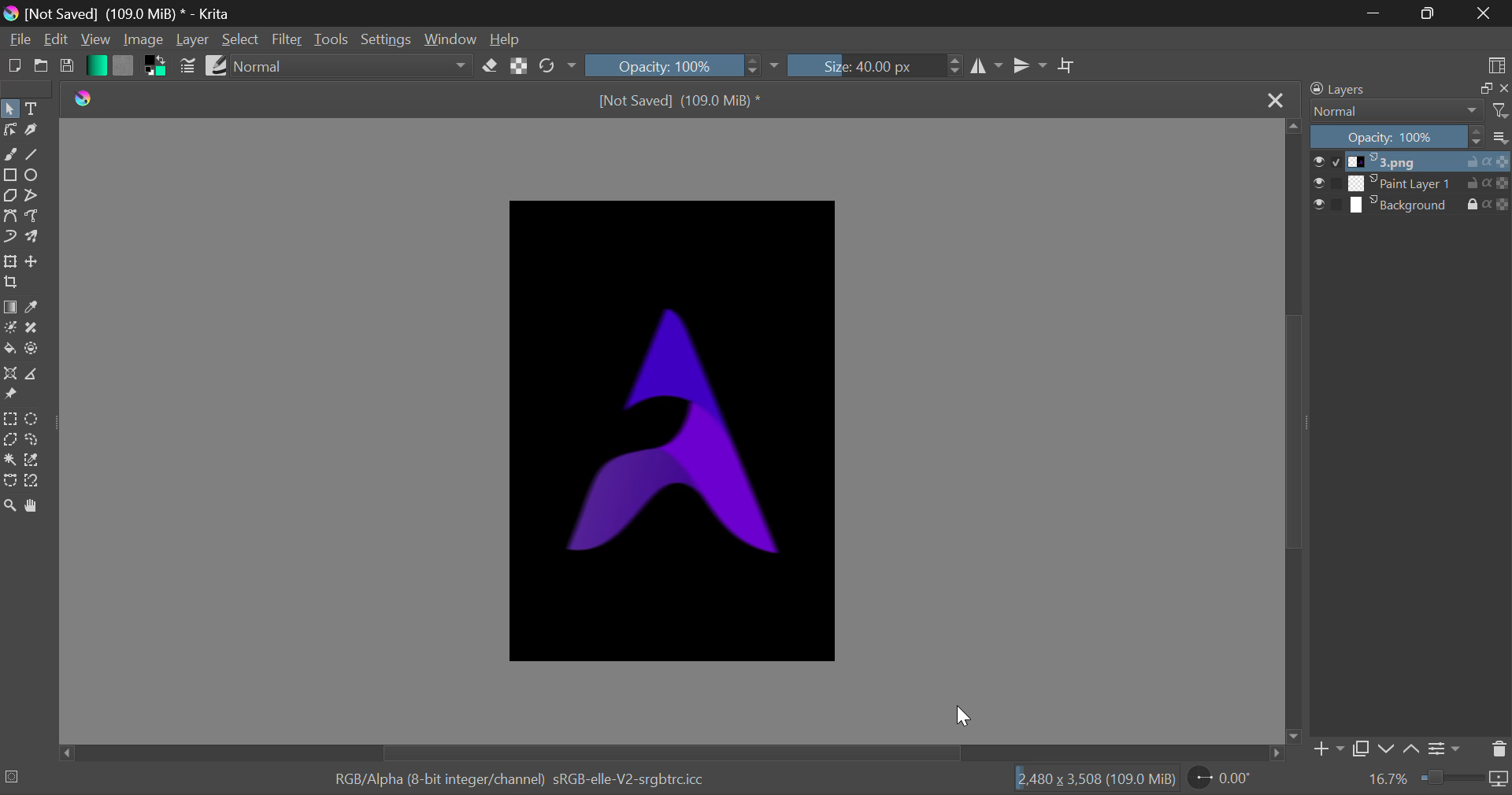  Describe the element at coordinates (506, 776) in the screenshot. I see `RGB/Alpha (8-bit integer/channel) sRGB-elle-V2-srgbtrc.icc` at that location.